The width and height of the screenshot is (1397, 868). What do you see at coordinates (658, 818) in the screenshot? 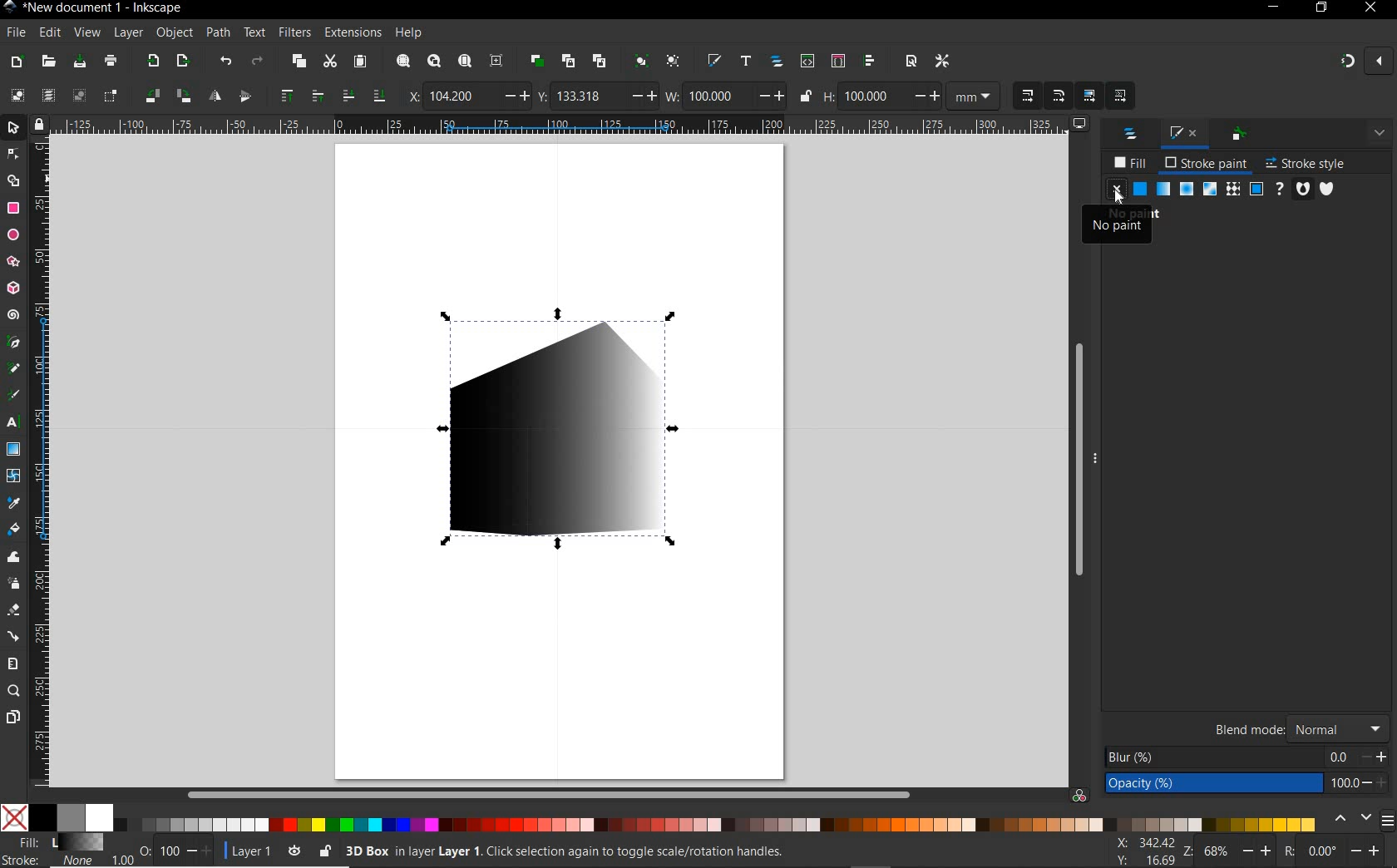
I see `COLOR MODE` at bounding box center [658, 818].